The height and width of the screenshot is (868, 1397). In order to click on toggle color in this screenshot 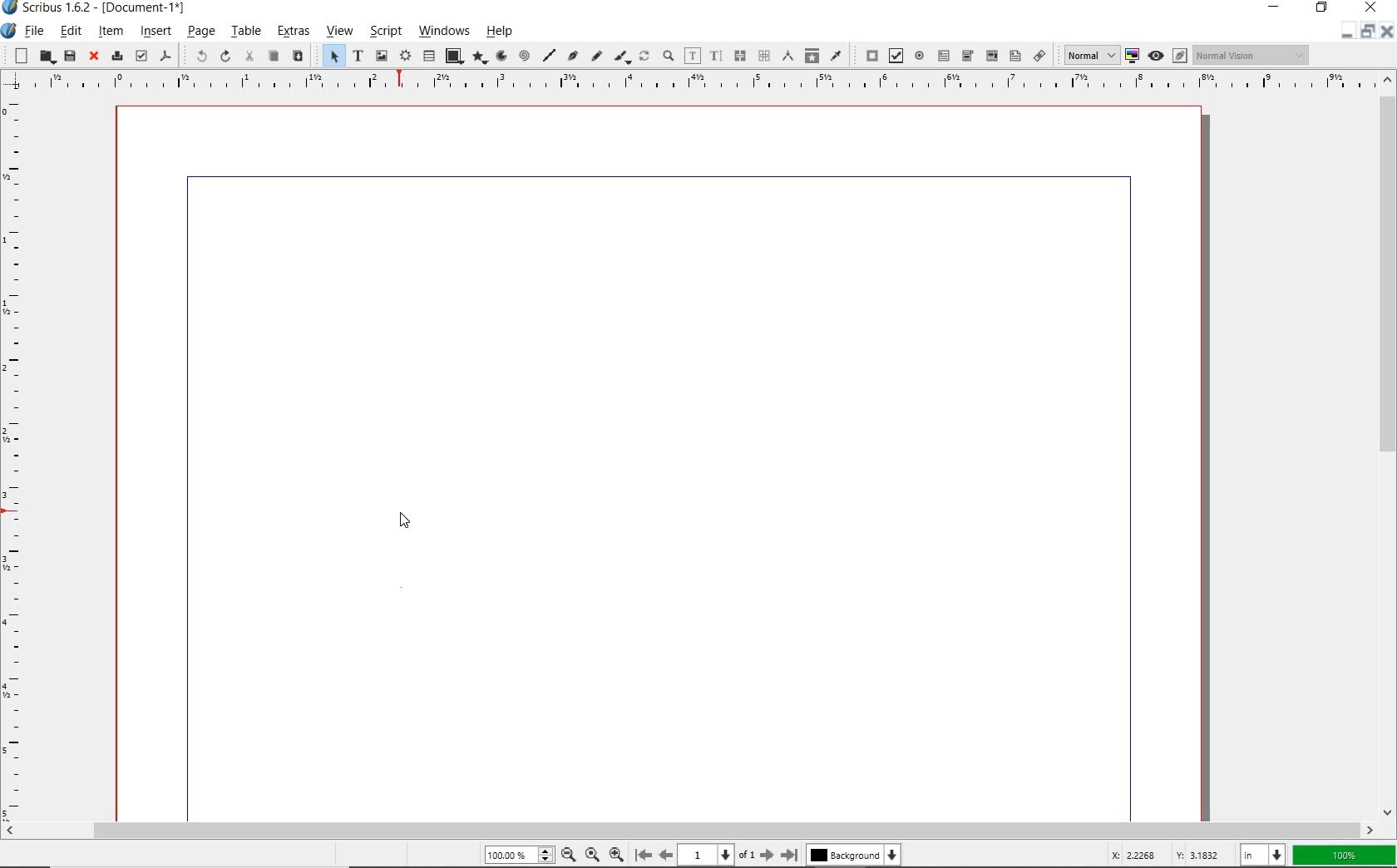, I will do `click(1133, 57)`.